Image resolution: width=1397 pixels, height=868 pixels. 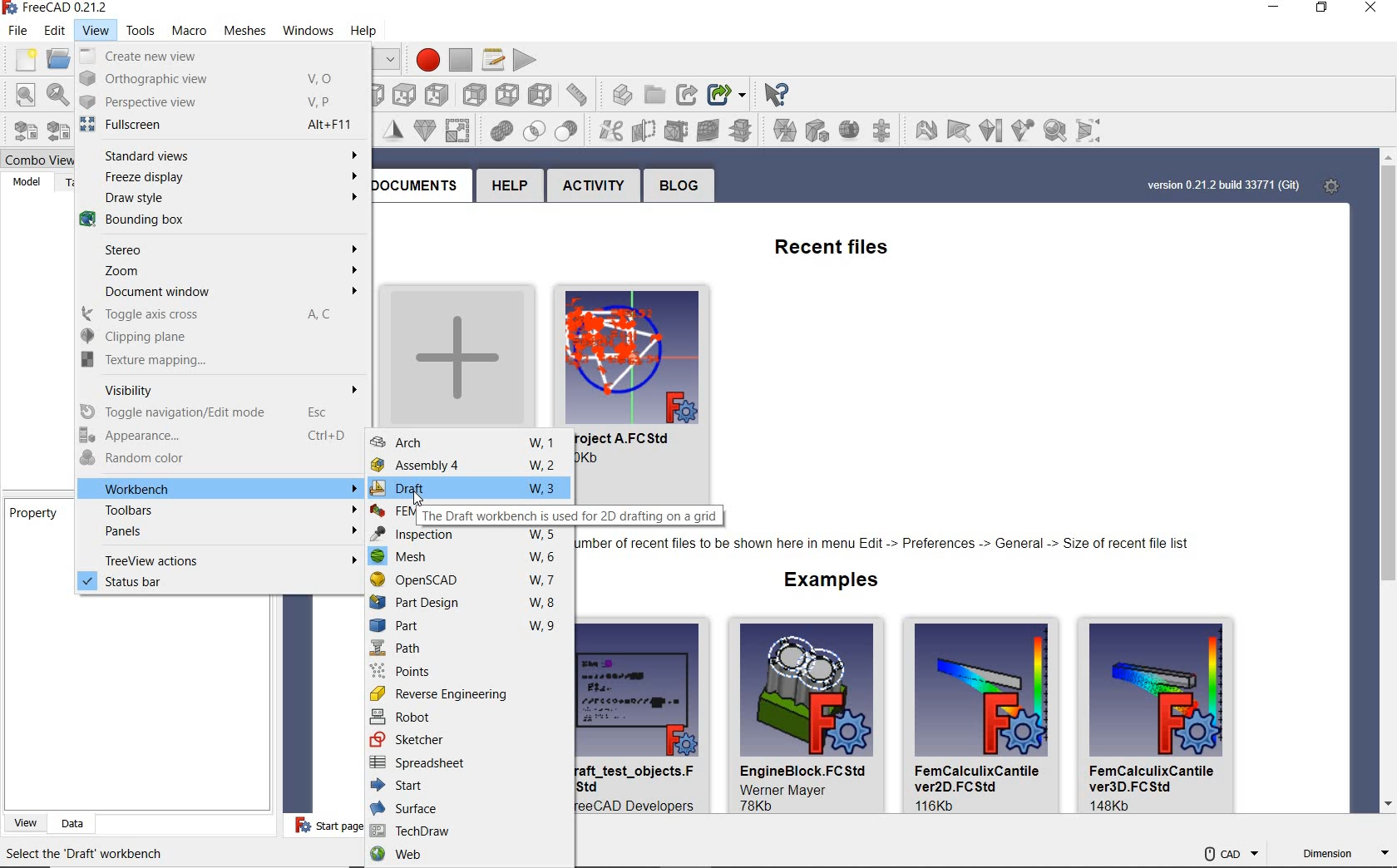 What do you see at coordinates (185, 31) in the screenshot?
I see `macro` at bounding box center [185, 31].